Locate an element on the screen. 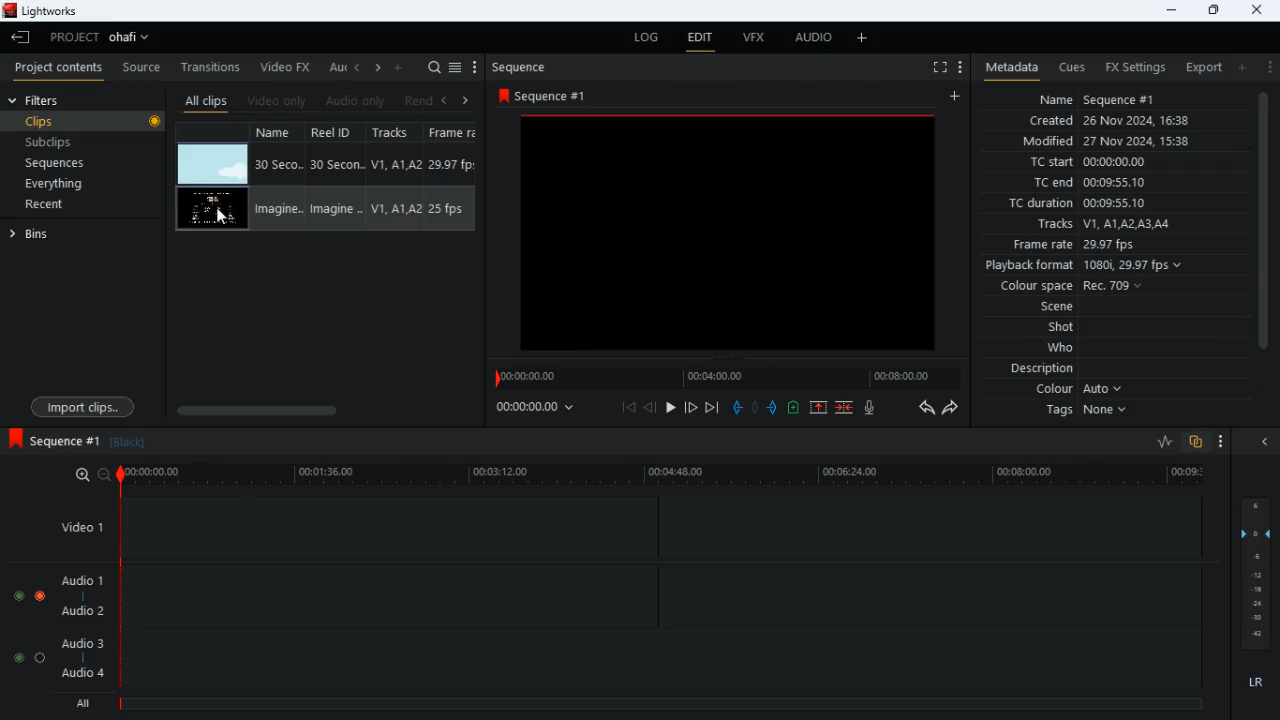 This screenshot has width=1280, height=720. timeline tracks is located at coordinates (661, 655).